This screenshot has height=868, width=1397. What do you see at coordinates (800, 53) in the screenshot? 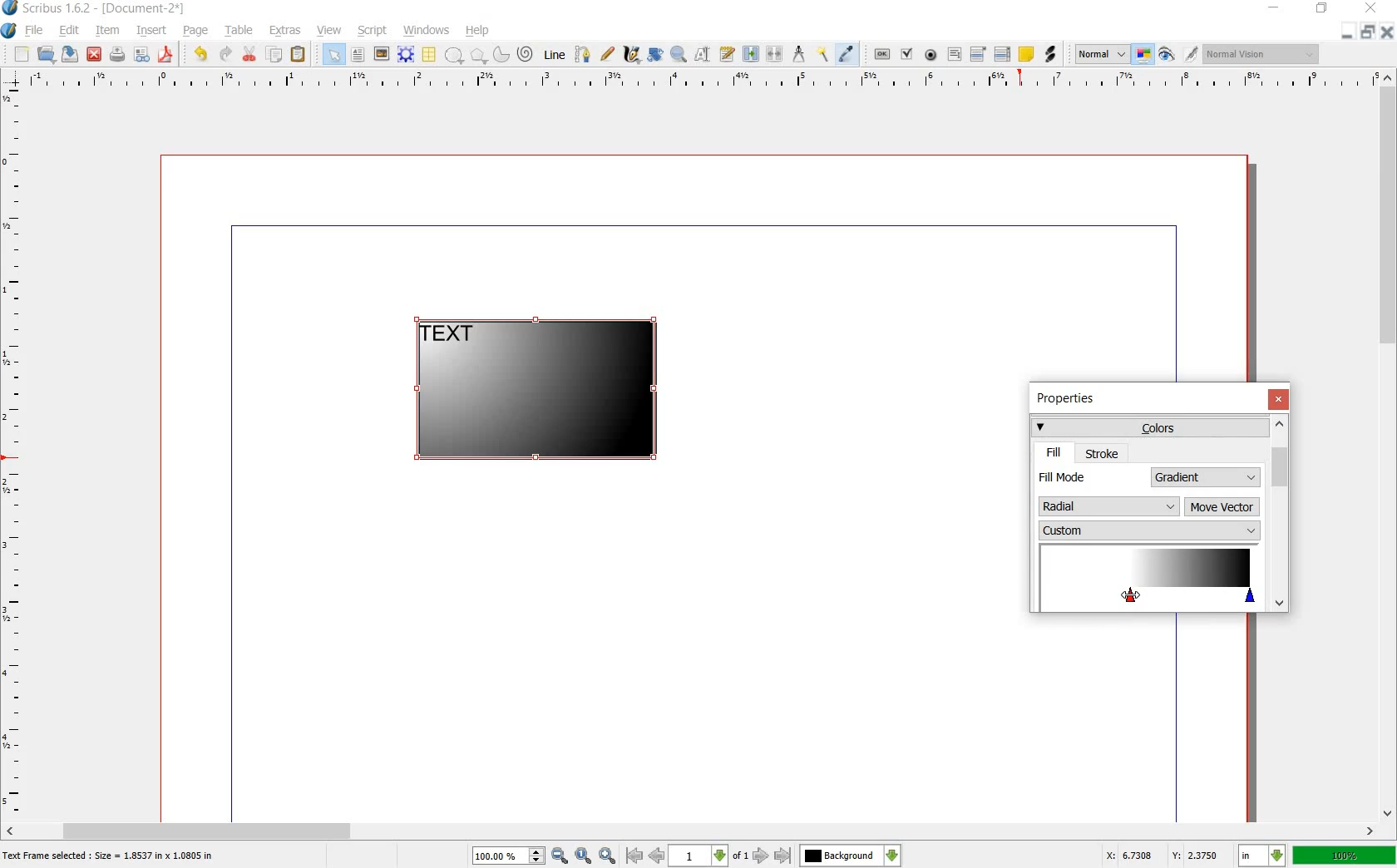
I see `measurement` at bounding box center [800, 53].